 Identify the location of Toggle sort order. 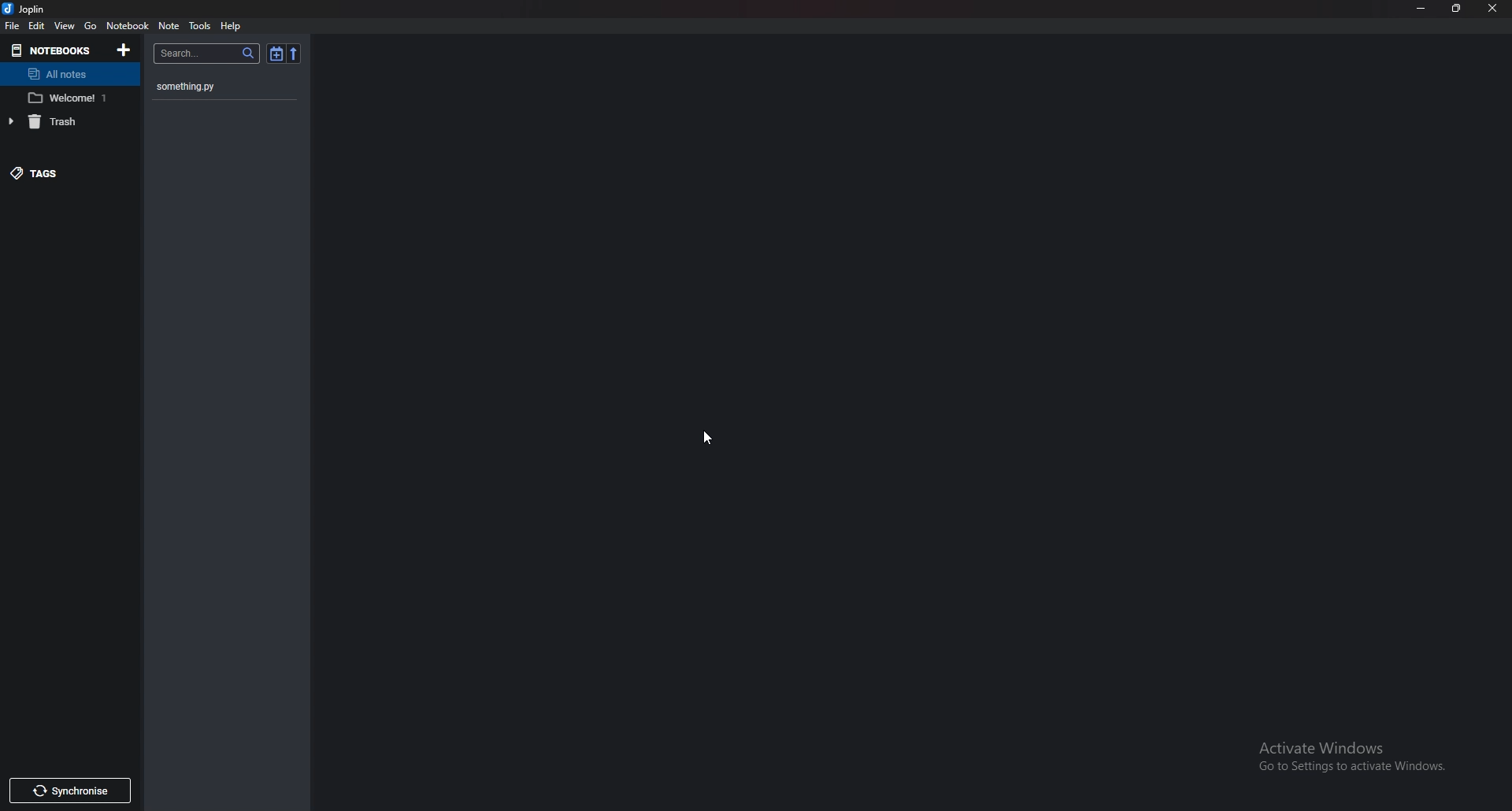
(275, 54).